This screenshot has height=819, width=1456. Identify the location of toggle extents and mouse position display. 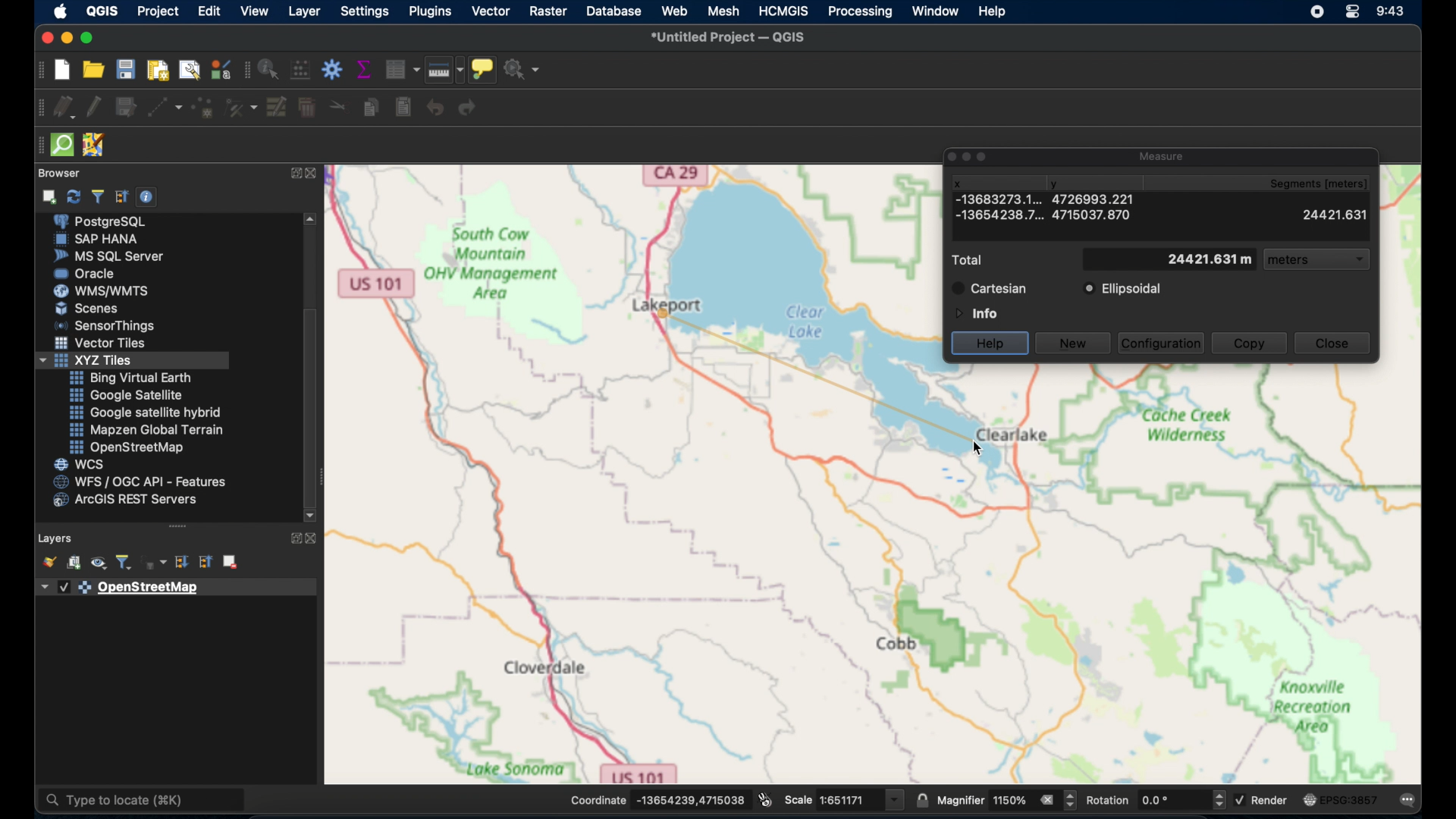
(765, 799).